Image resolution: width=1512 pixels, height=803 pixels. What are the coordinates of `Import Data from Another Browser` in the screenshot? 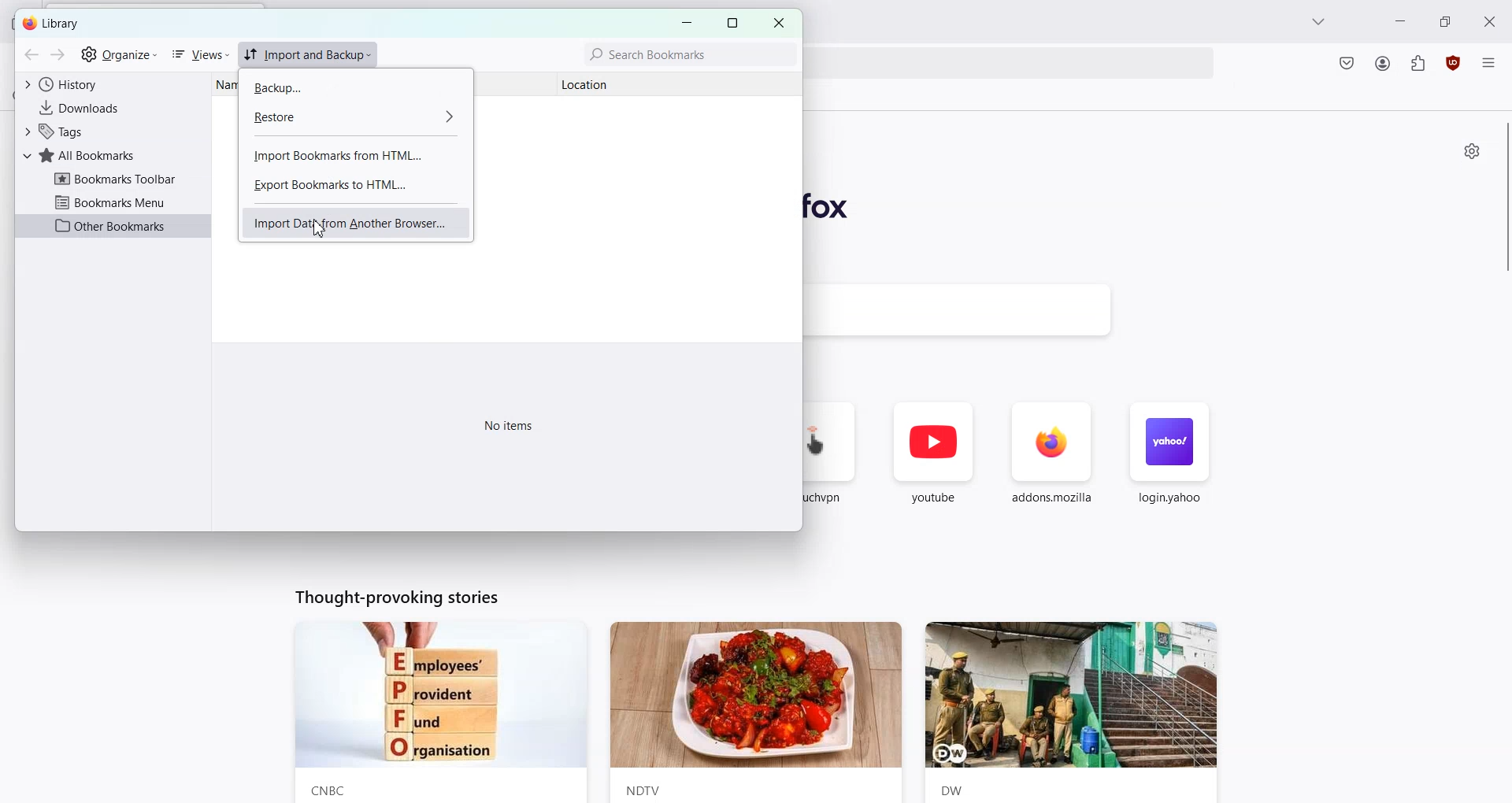 It's located at (356, 223).